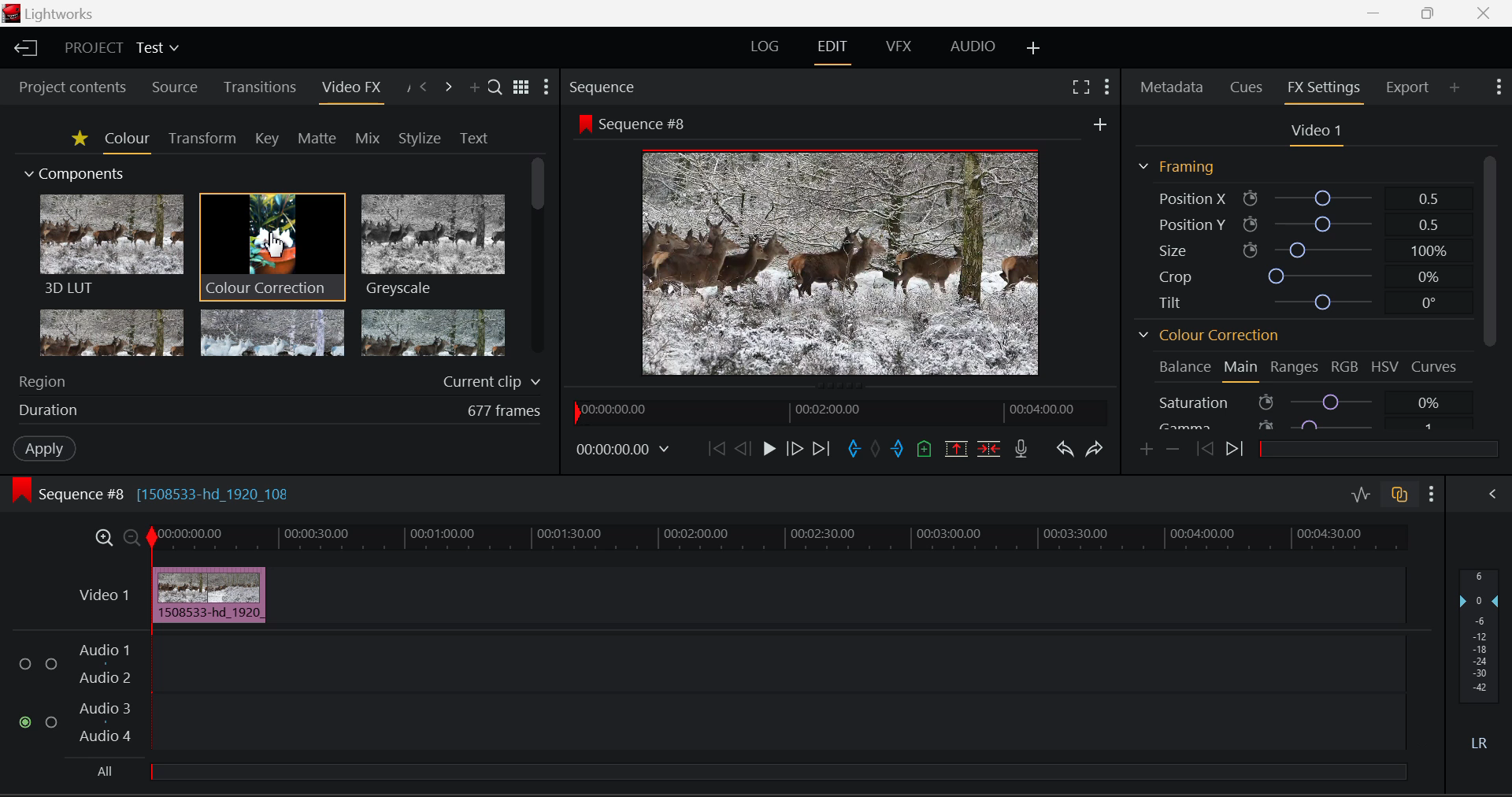  Describe the element at coordinates (1235, 450) in the screenshot. I see `Next keyframe` at that location.